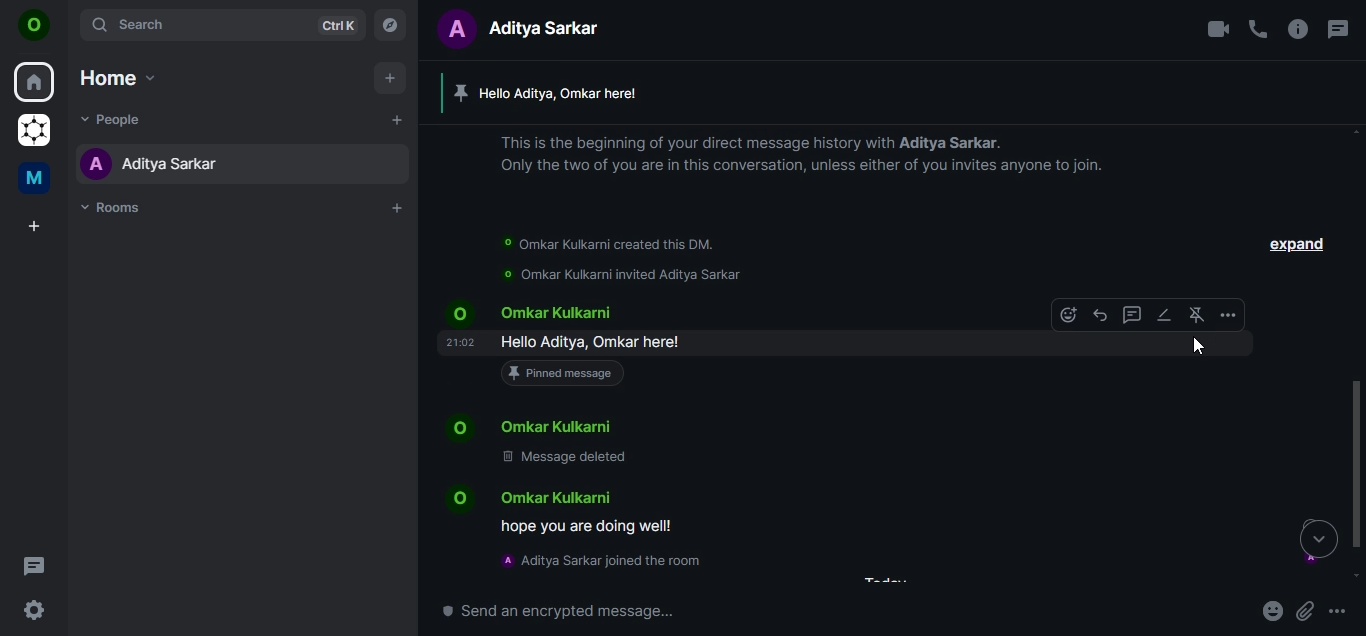  Describe the element at coordinates (768, 174) in the screenshot. I see `text` at that location.